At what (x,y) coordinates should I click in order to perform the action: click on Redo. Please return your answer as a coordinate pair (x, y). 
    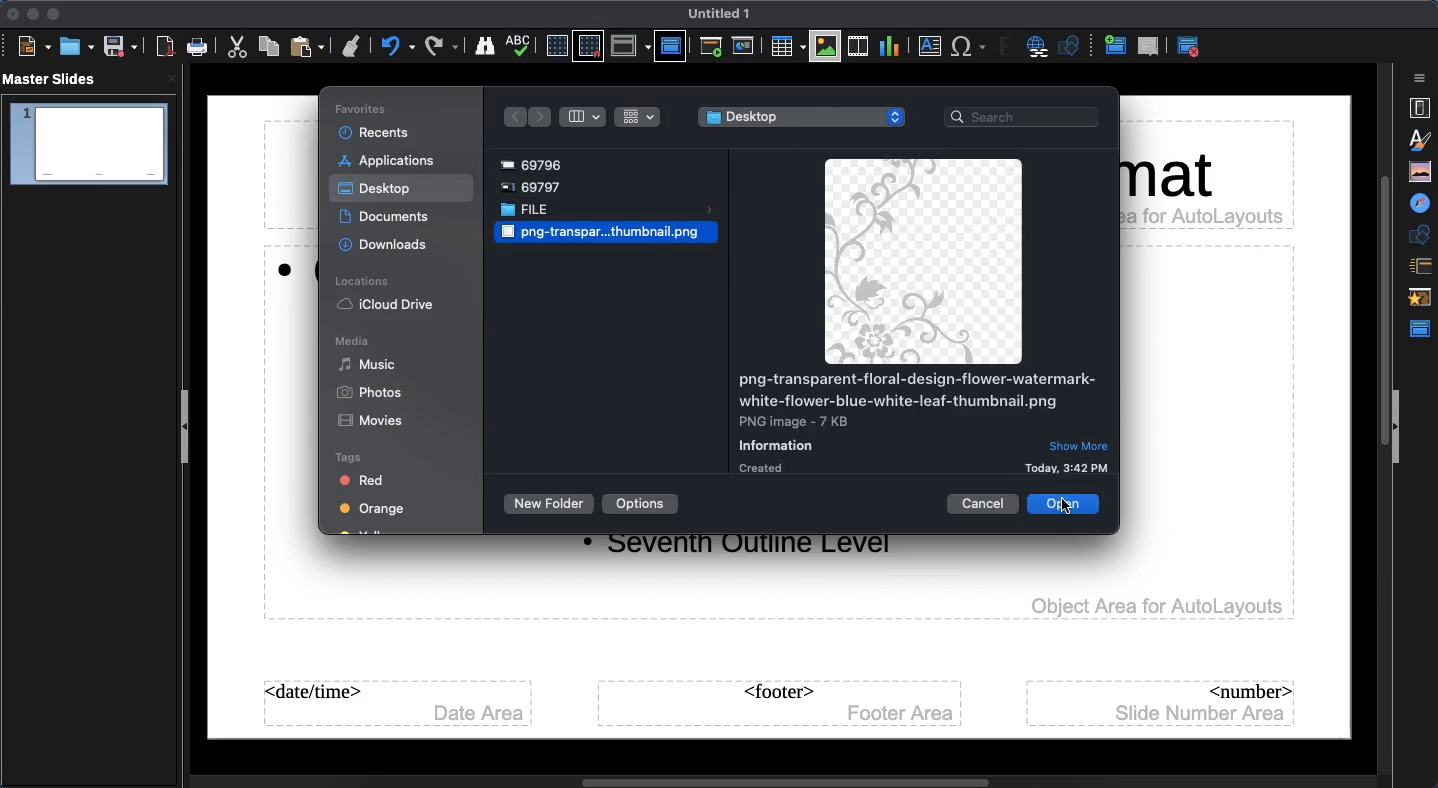
    Looking at the image, I should click on (442, 46).